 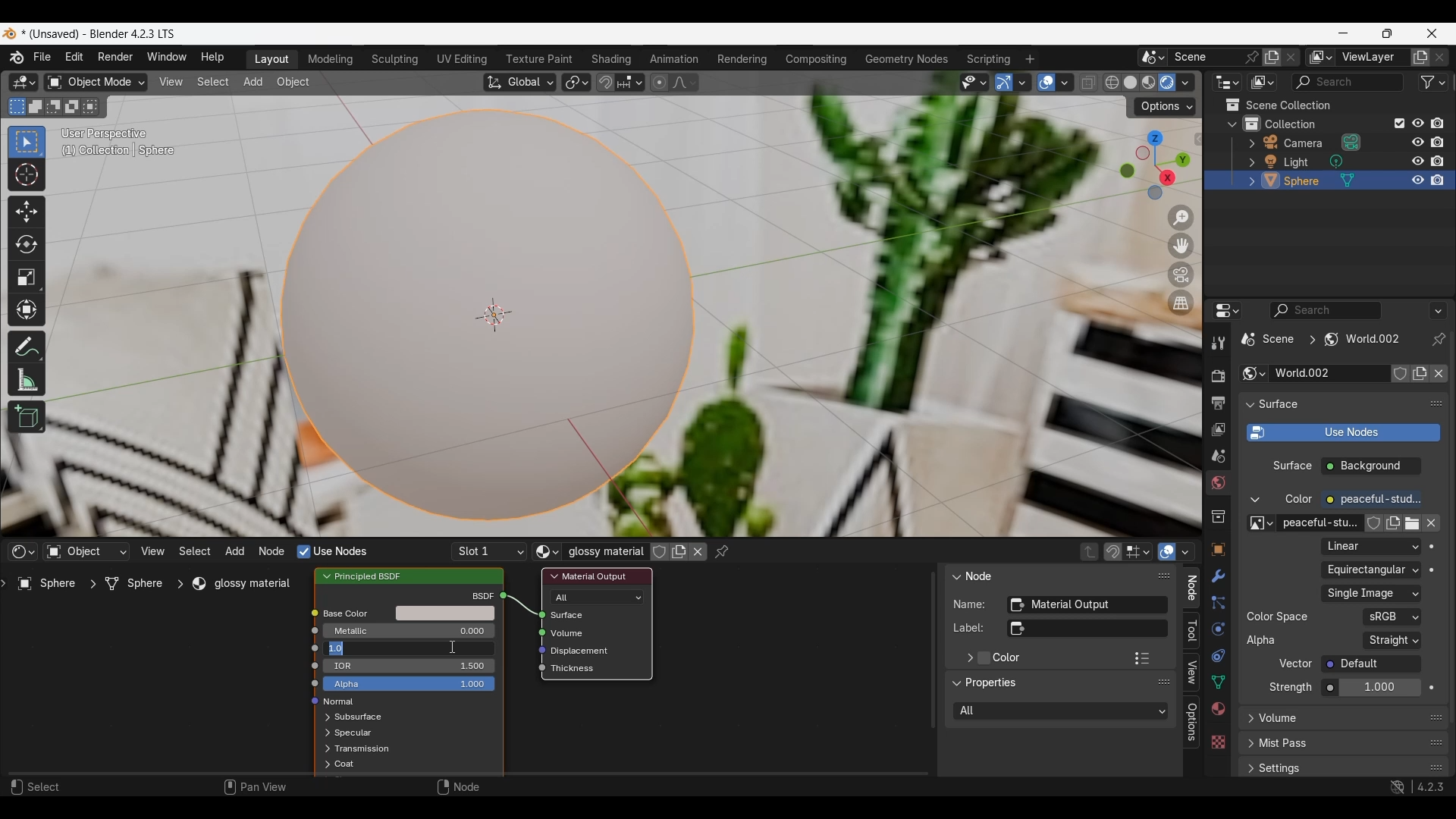 What do you see at coordinates (152, 551) in the screenshot?
I see `View menu` at bounding box center [152, 551].